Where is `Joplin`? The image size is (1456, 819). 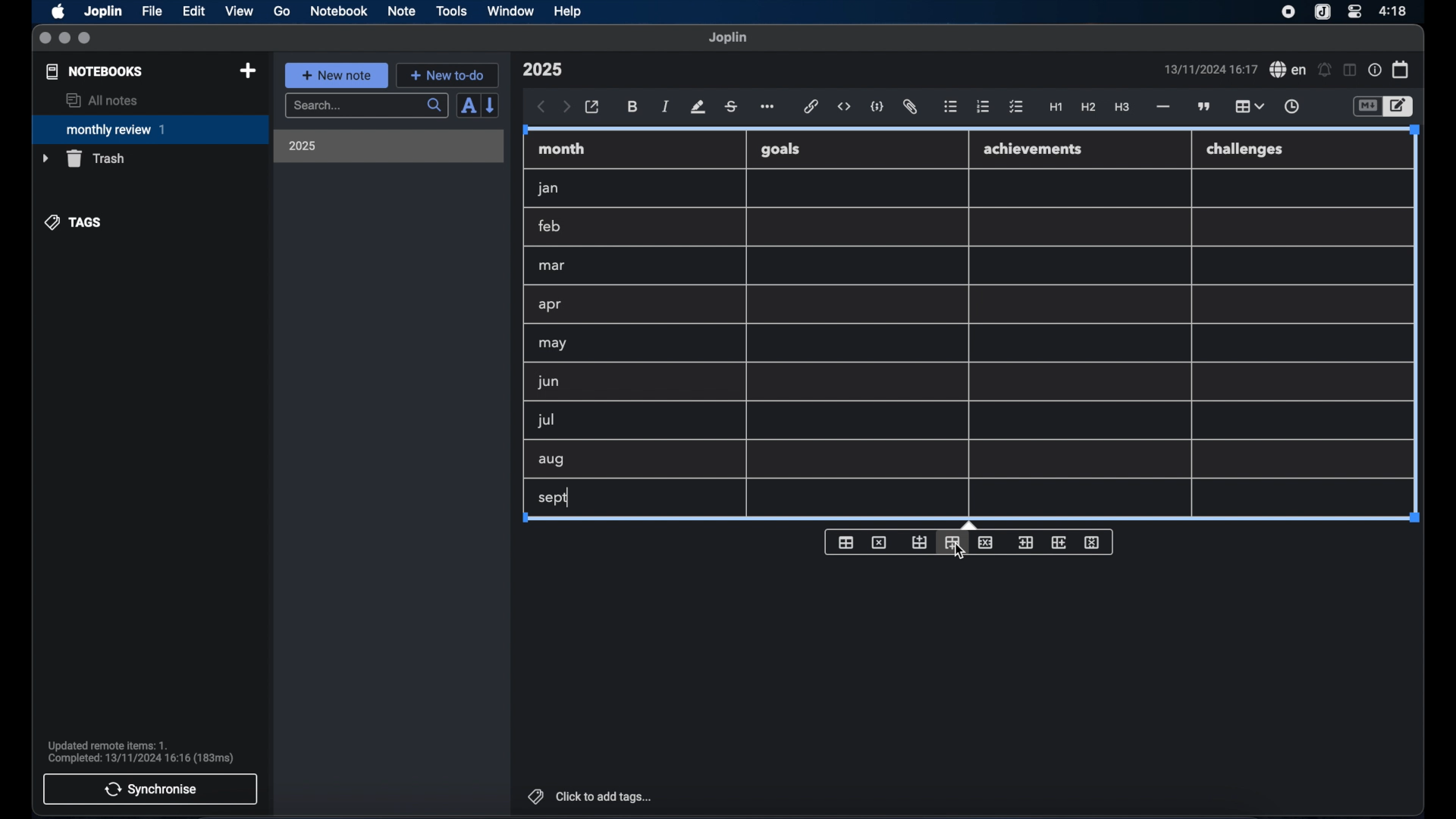
Joplin is located at coordinates (105, 12).